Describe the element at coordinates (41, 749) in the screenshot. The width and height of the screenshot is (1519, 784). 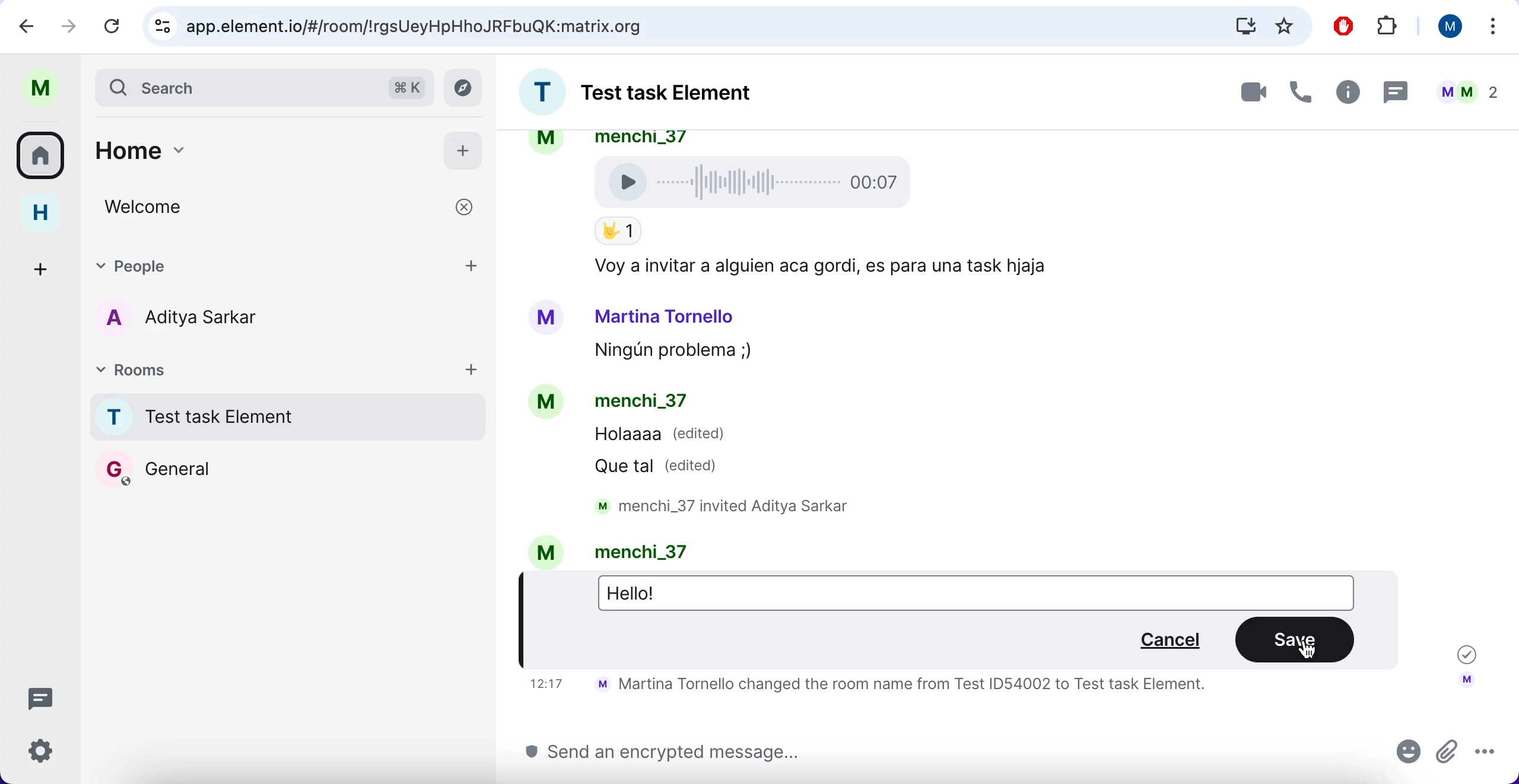
I see `quick settings` at that location.